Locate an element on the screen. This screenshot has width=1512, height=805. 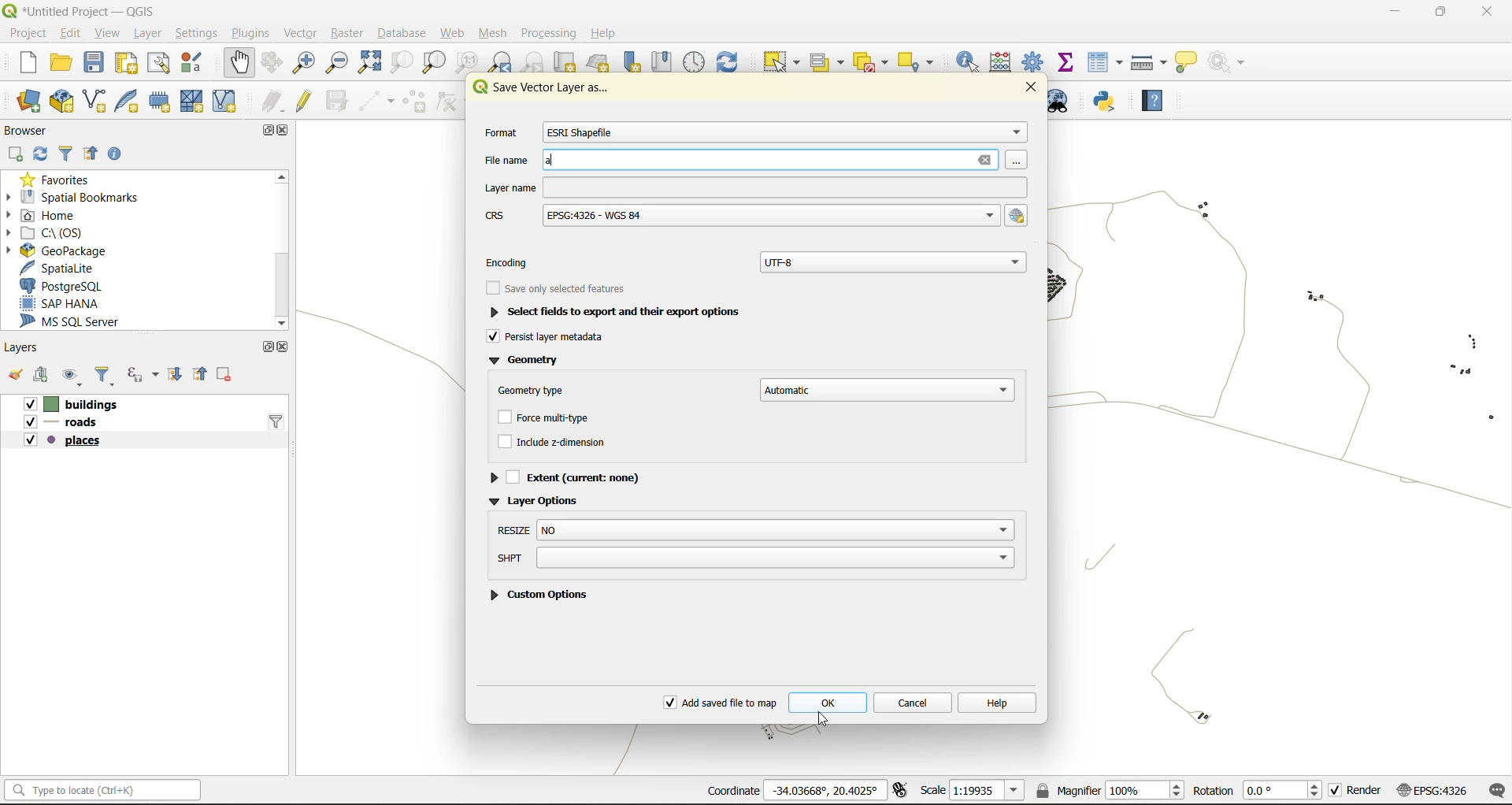
UTF is located at coordinates (895, 260).